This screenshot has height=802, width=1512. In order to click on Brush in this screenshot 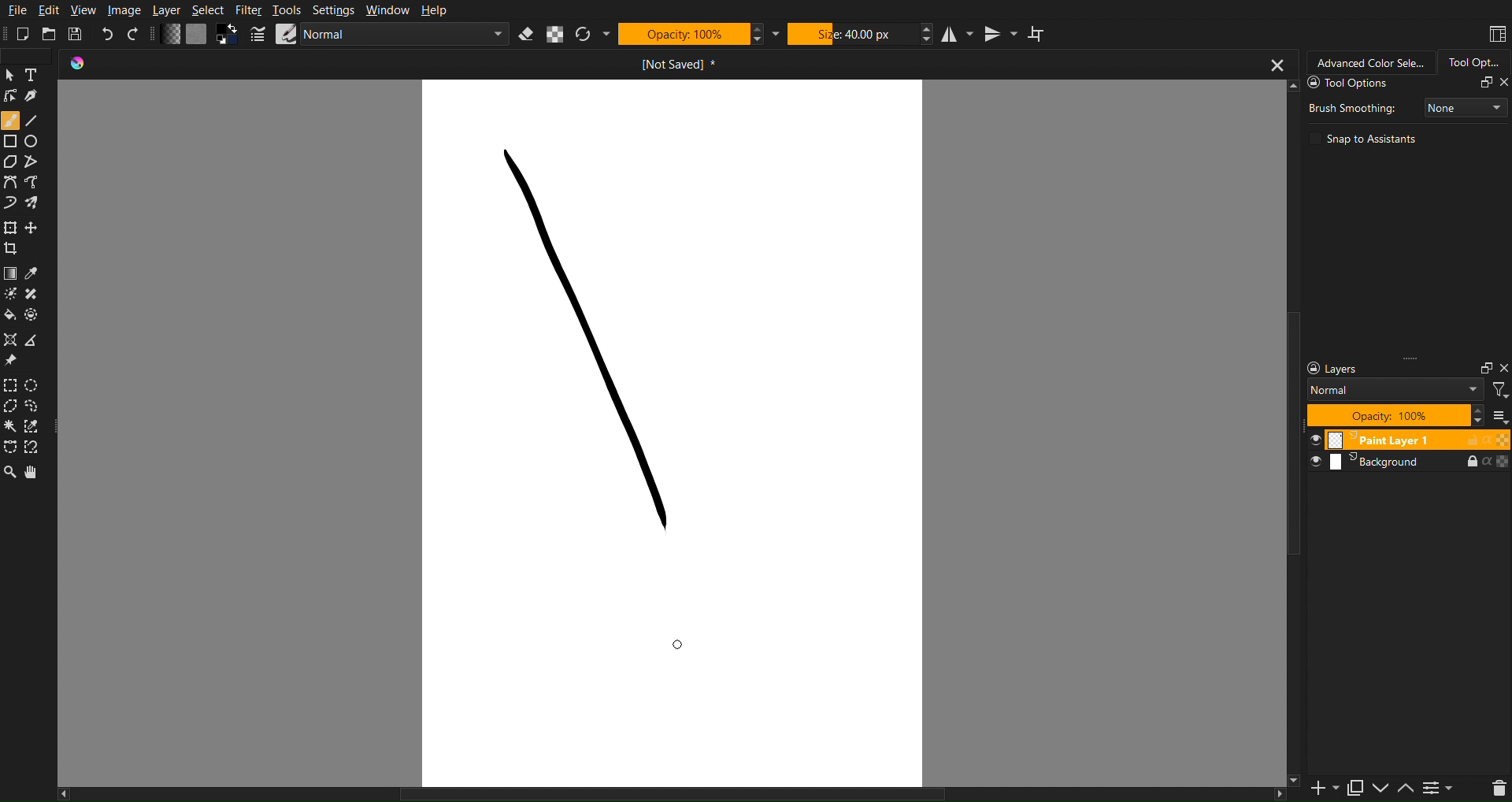, I will do `click(36, 204)`.